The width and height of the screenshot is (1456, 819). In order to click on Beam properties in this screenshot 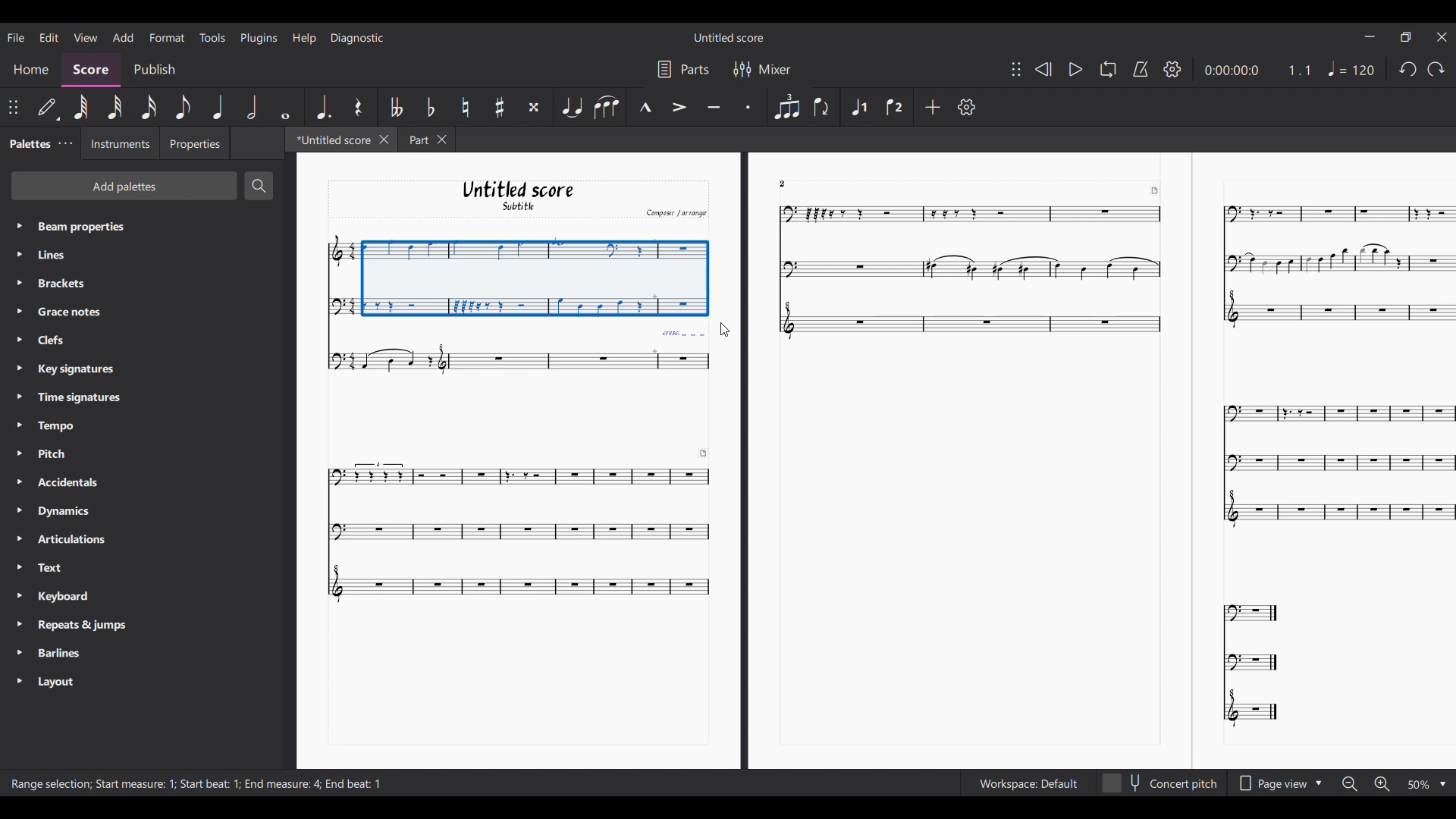, I will do `click(118, 226)`.